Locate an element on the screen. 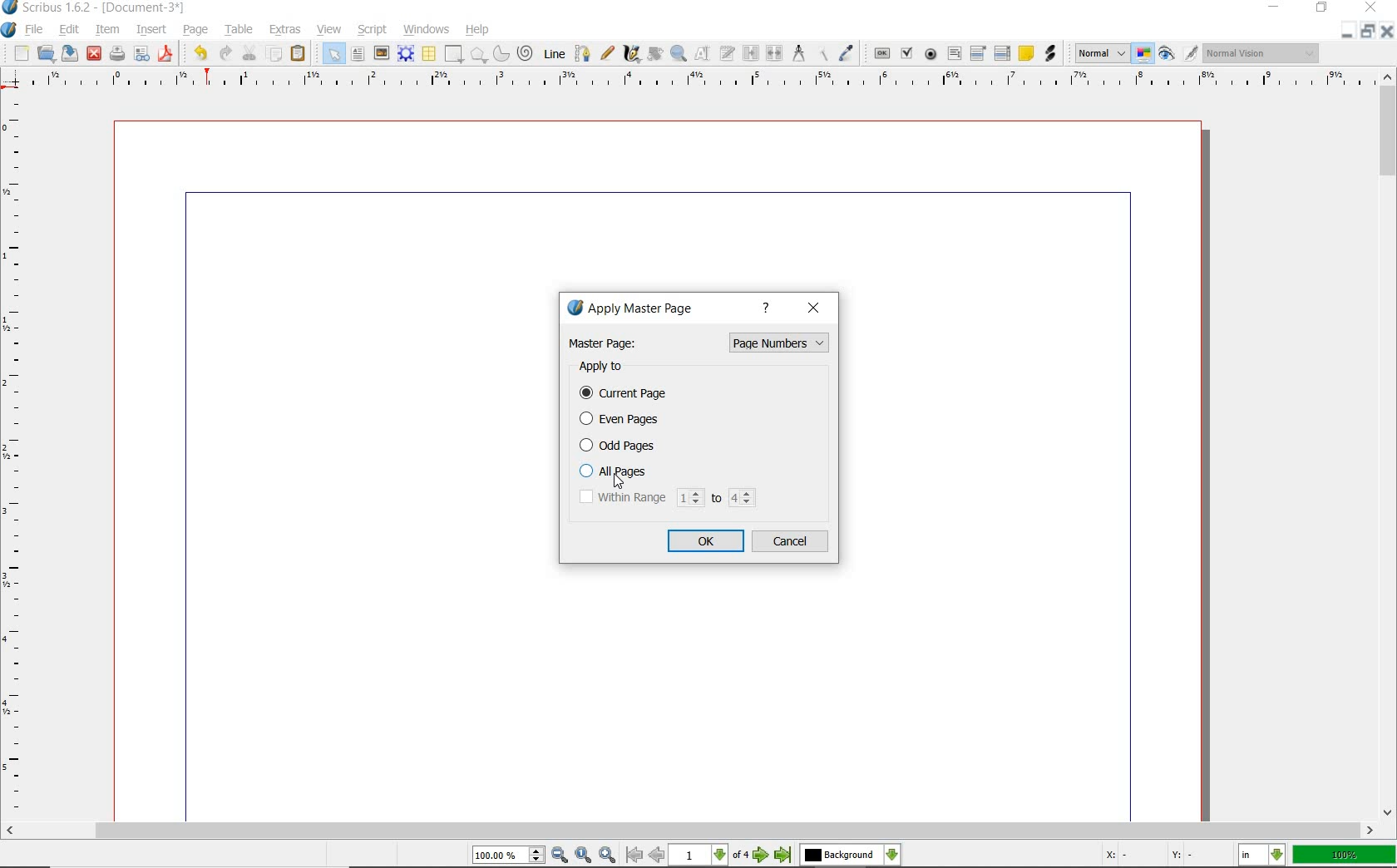  pdf check box is located at coordinates (906, 52).